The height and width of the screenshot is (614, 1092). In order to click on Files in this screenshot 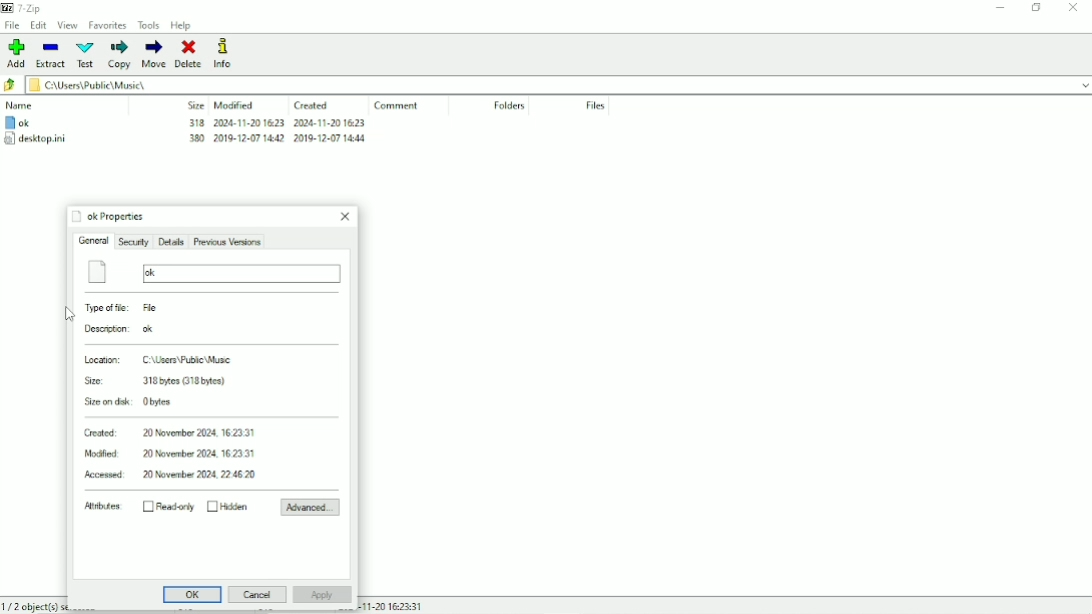, I will do `click(596, 106)`.